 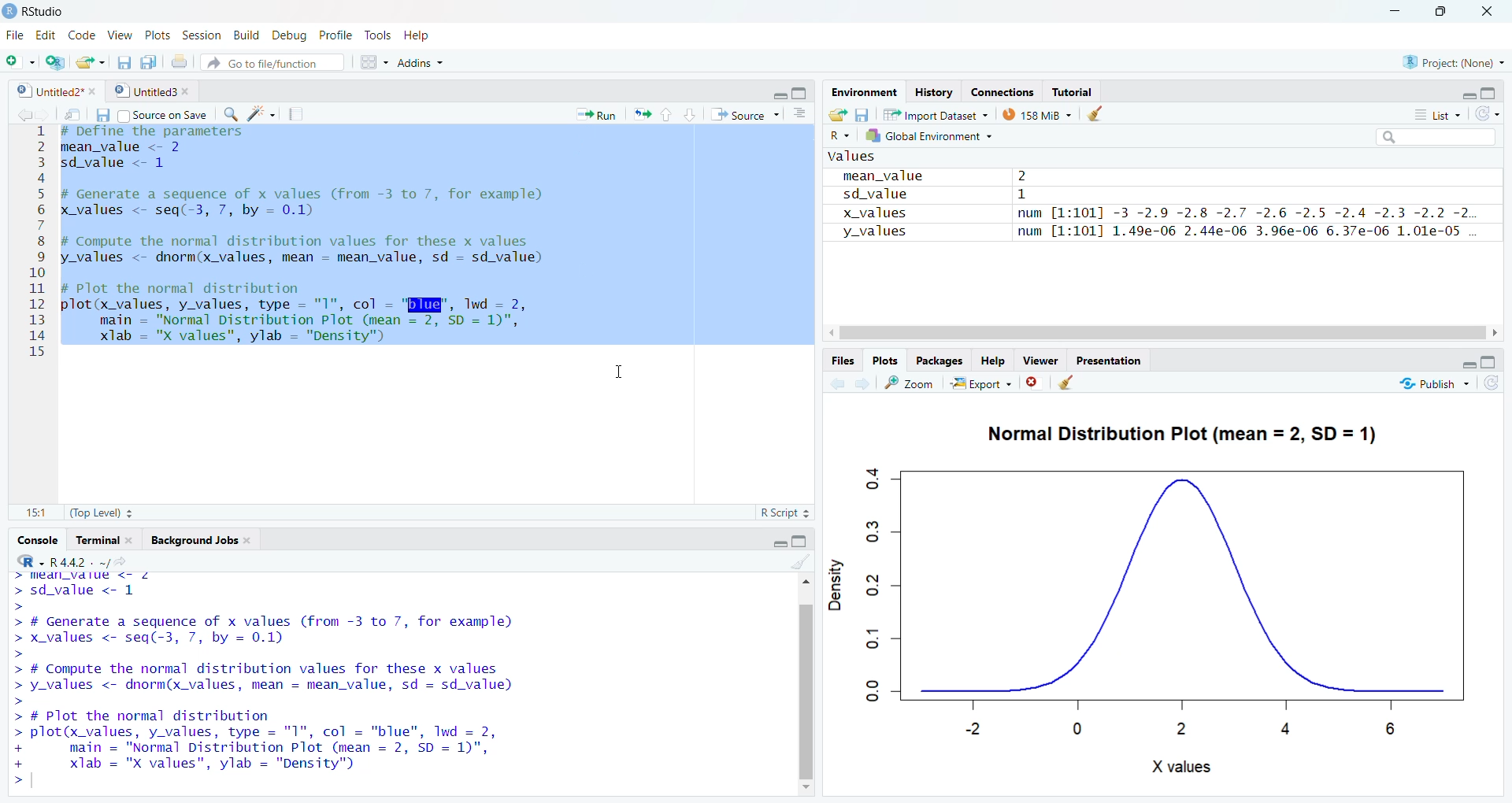 What do you see at coordinates (835, 113) in the screenshot?
I see `` at bounding box center [835, 113].